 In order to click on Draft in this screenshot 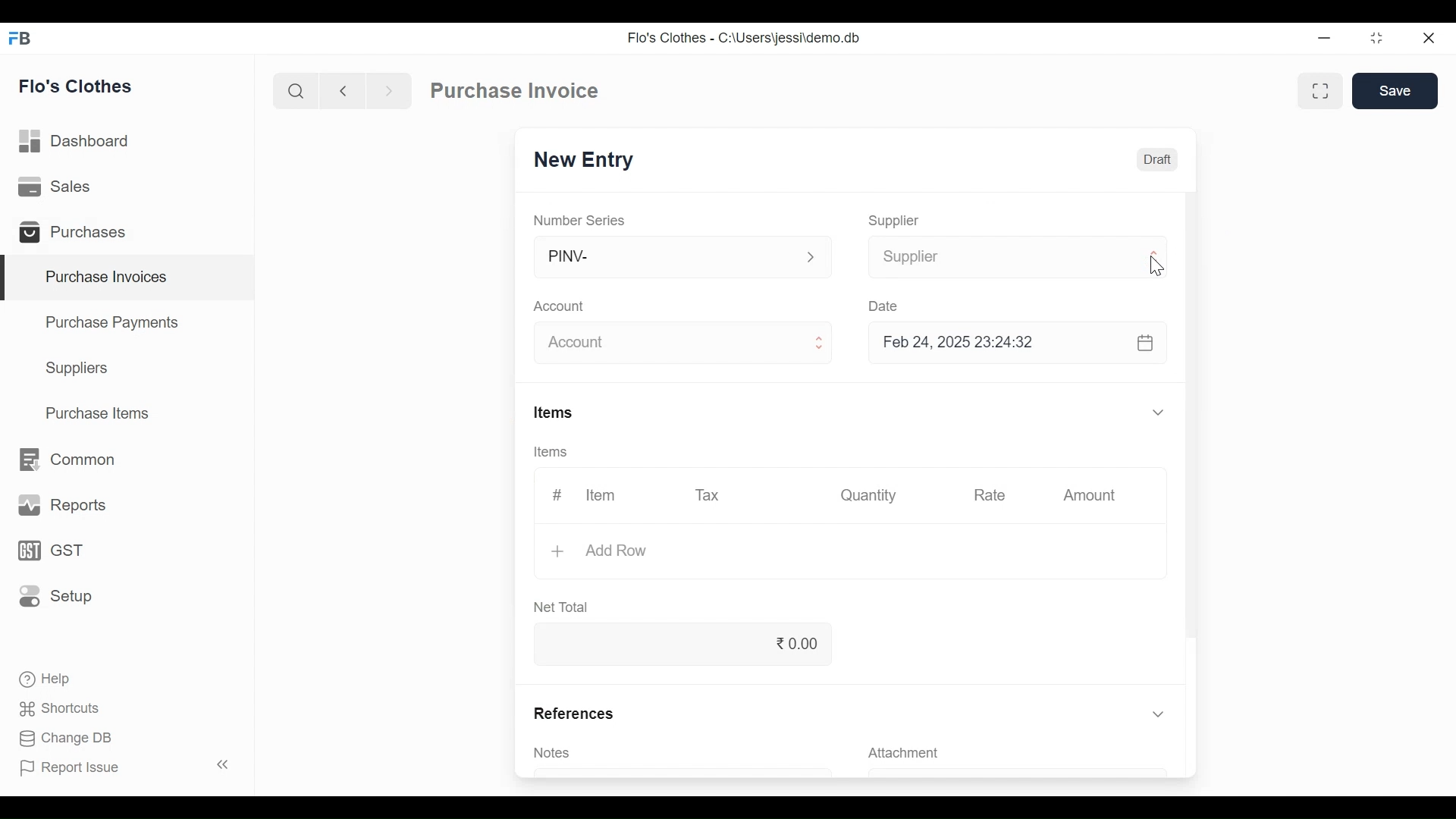, I will do `click(1157, 158)`.